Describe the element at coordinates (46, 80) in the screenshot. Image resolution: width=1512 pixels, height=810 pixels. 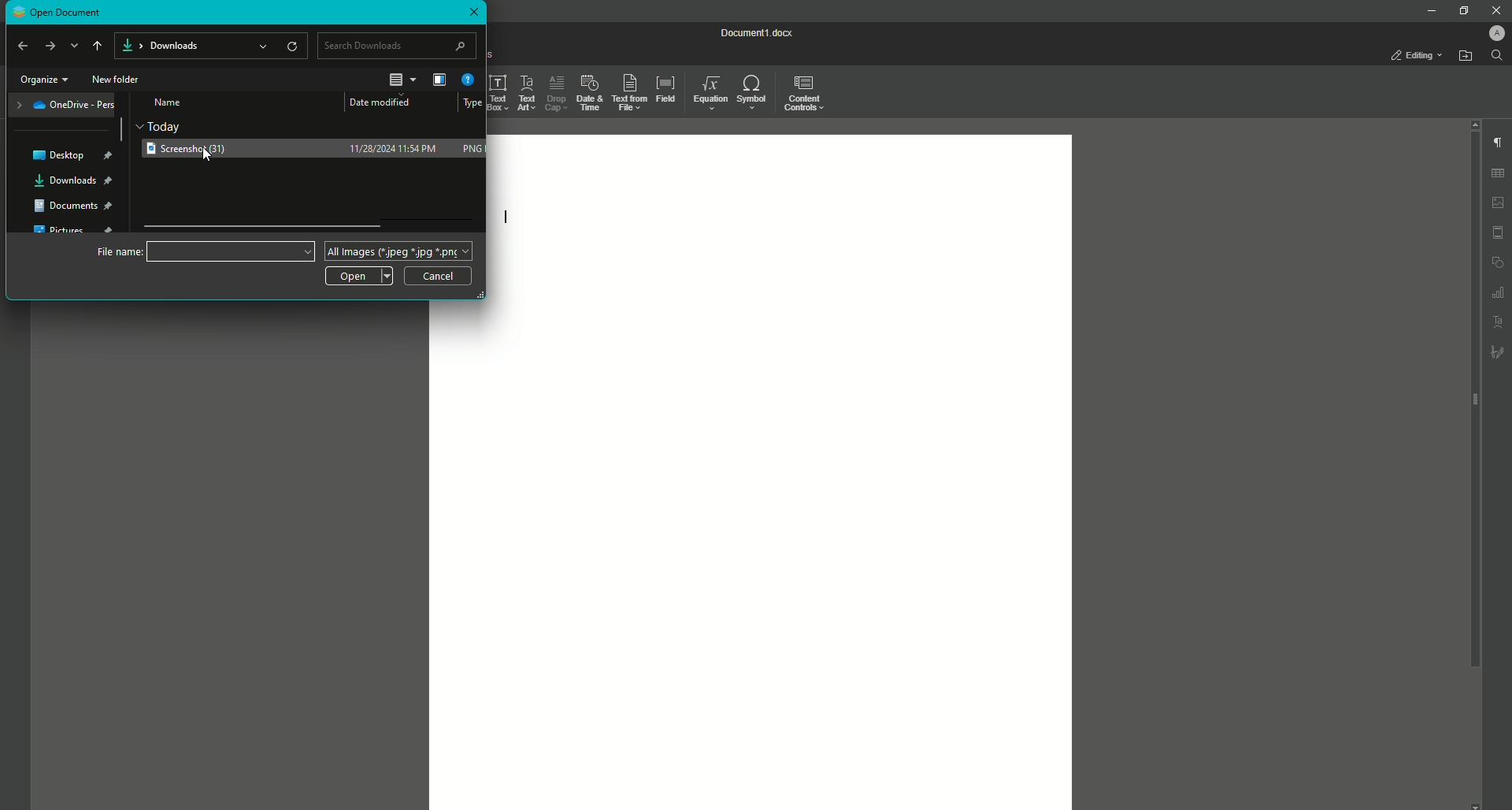
I see `Organize` at that location.